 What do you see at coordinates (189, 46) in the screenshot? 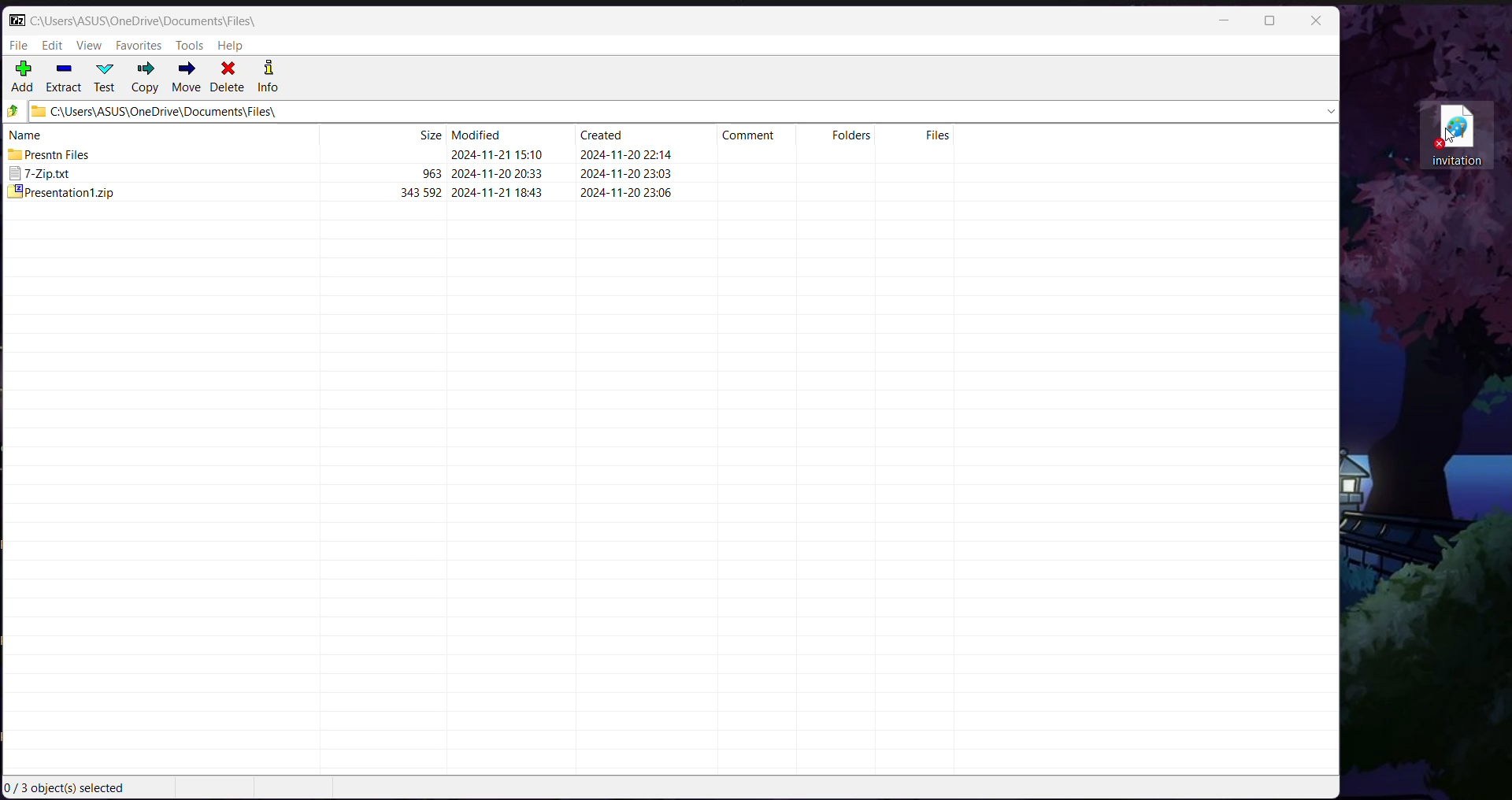
I see `Tools` at bounding box center [189, 46].